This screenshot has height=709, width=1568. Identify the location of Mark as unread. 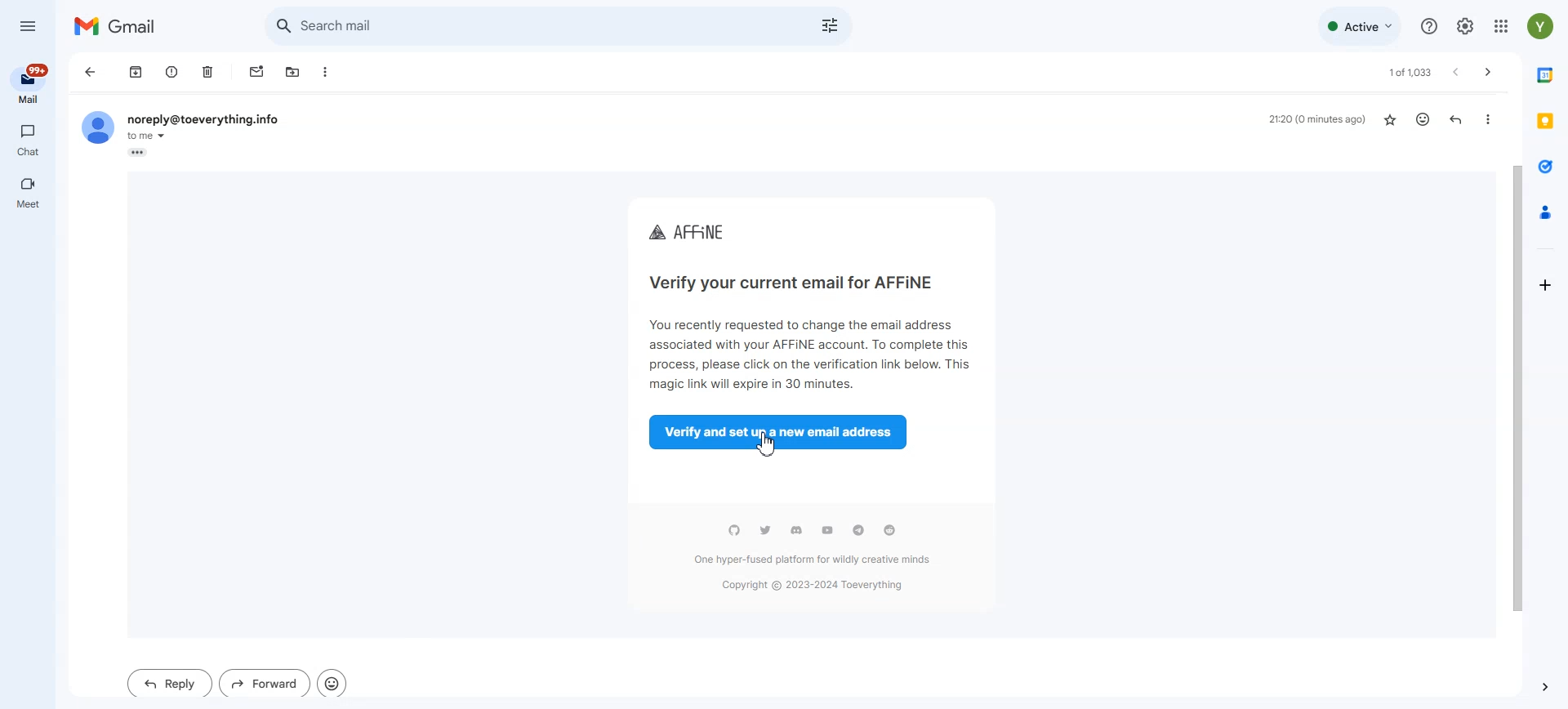
(256, 73).